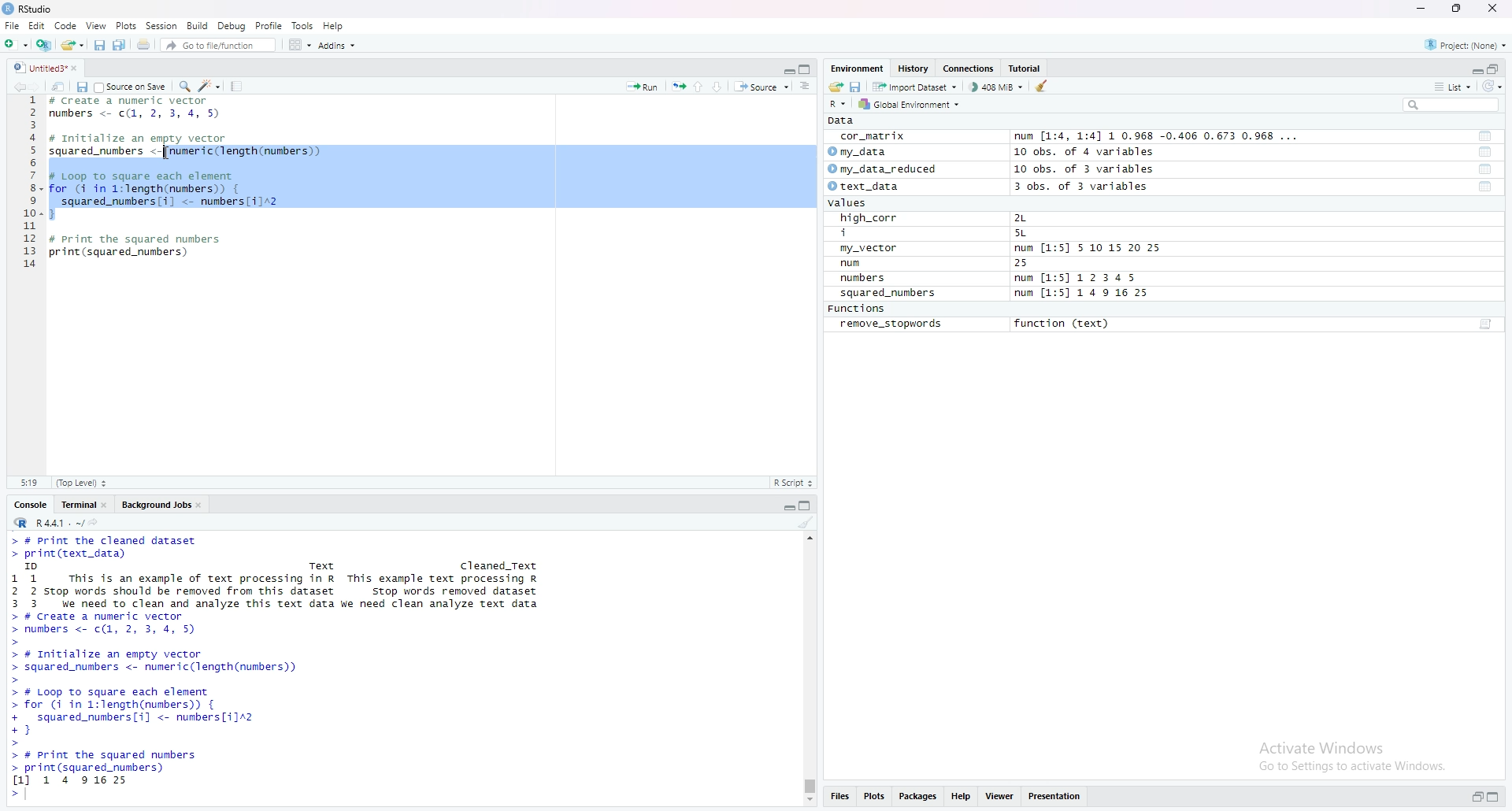 This screenshot has height=811, width=1512. I want to click on i, so click(872, 234).